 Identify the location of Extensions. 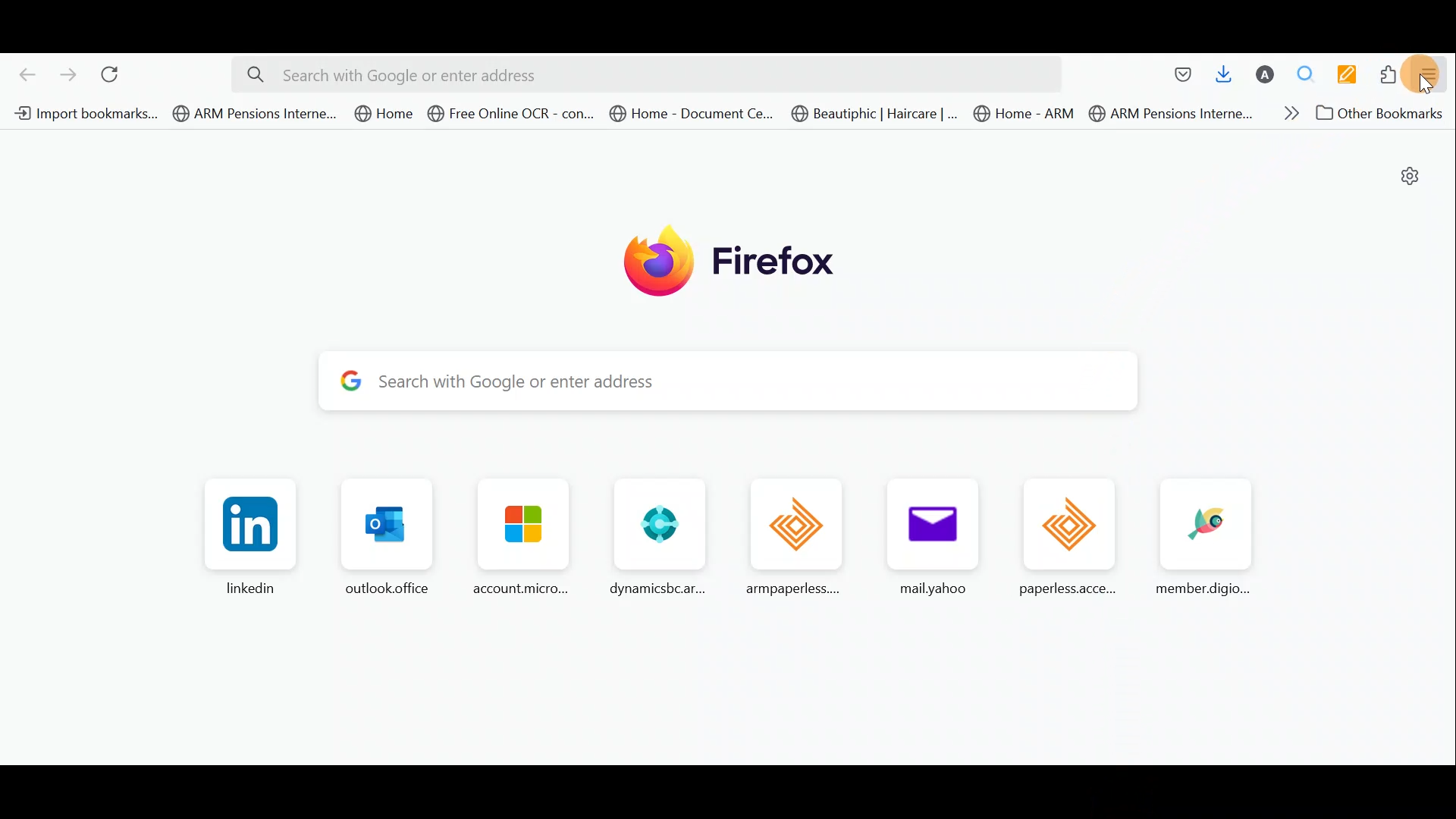
(1390, 74).